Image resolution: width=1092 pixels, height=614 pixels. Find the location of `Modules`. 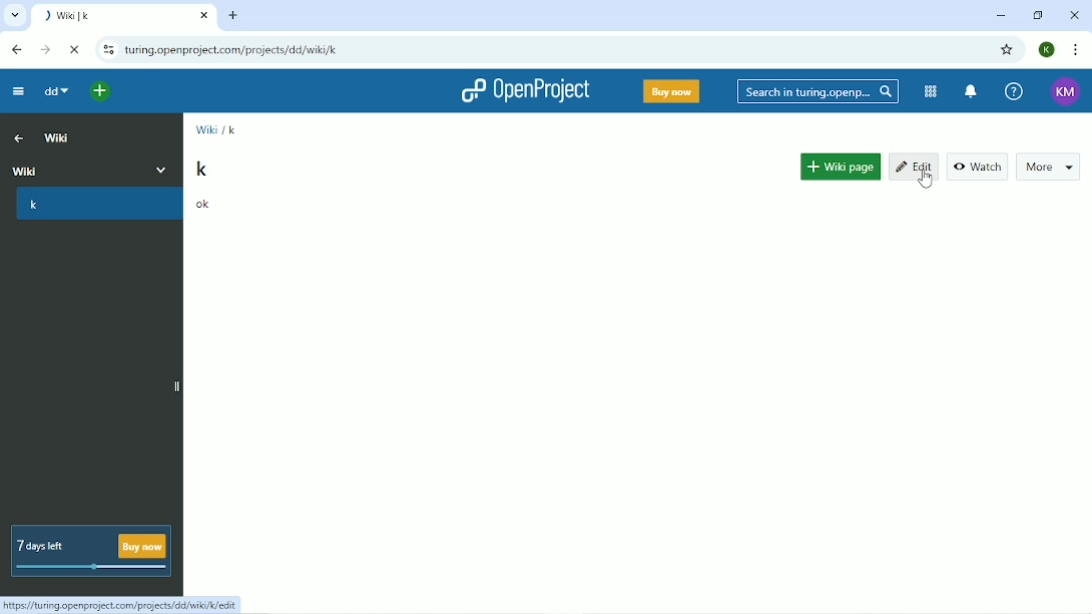

Modules is located at coordinates (929, 91).